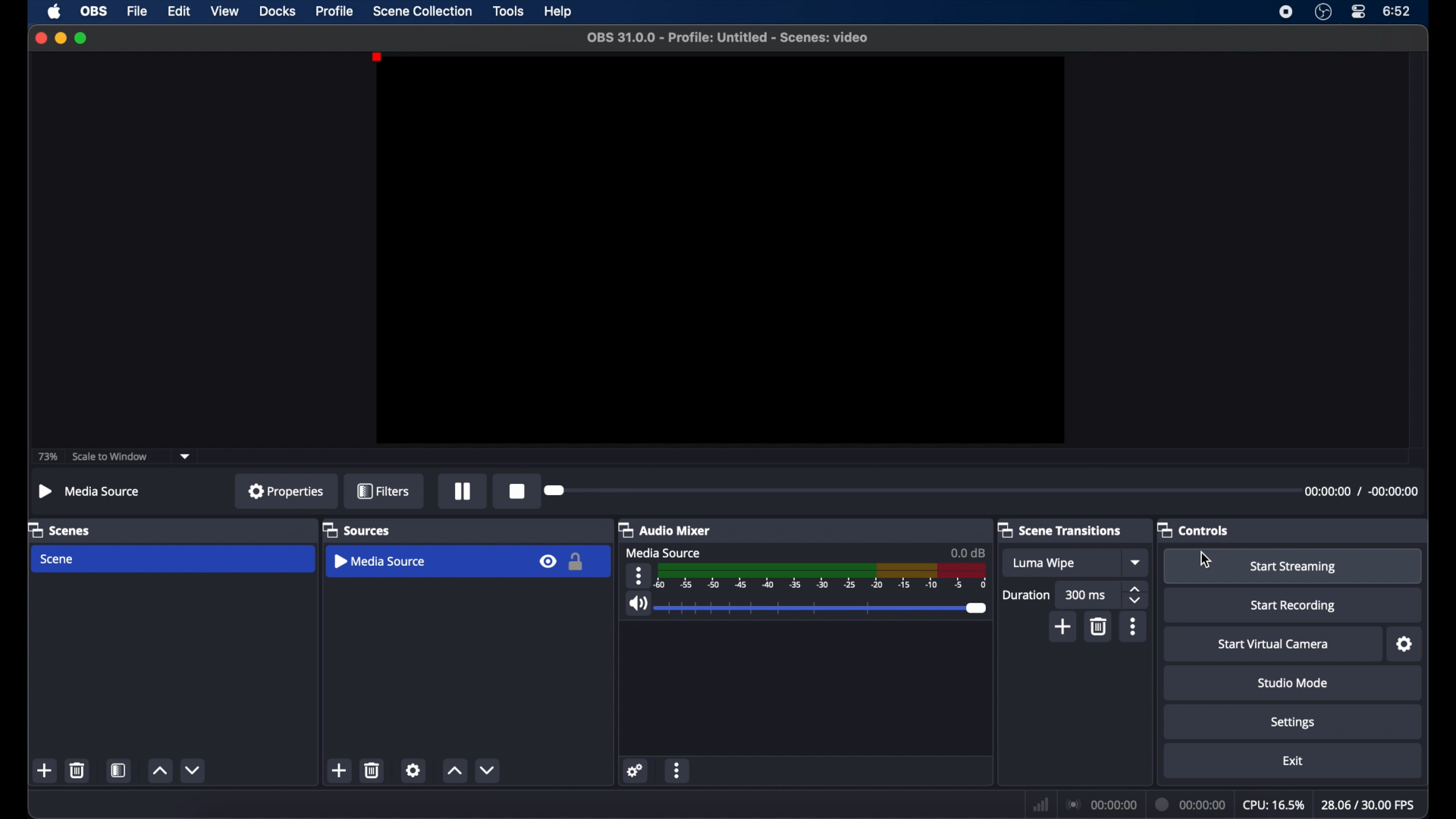 This screenshot has height=819, width=1456. Describe the element at coordinates (1405, 645) in the screenshot. I see `settings` at that location.